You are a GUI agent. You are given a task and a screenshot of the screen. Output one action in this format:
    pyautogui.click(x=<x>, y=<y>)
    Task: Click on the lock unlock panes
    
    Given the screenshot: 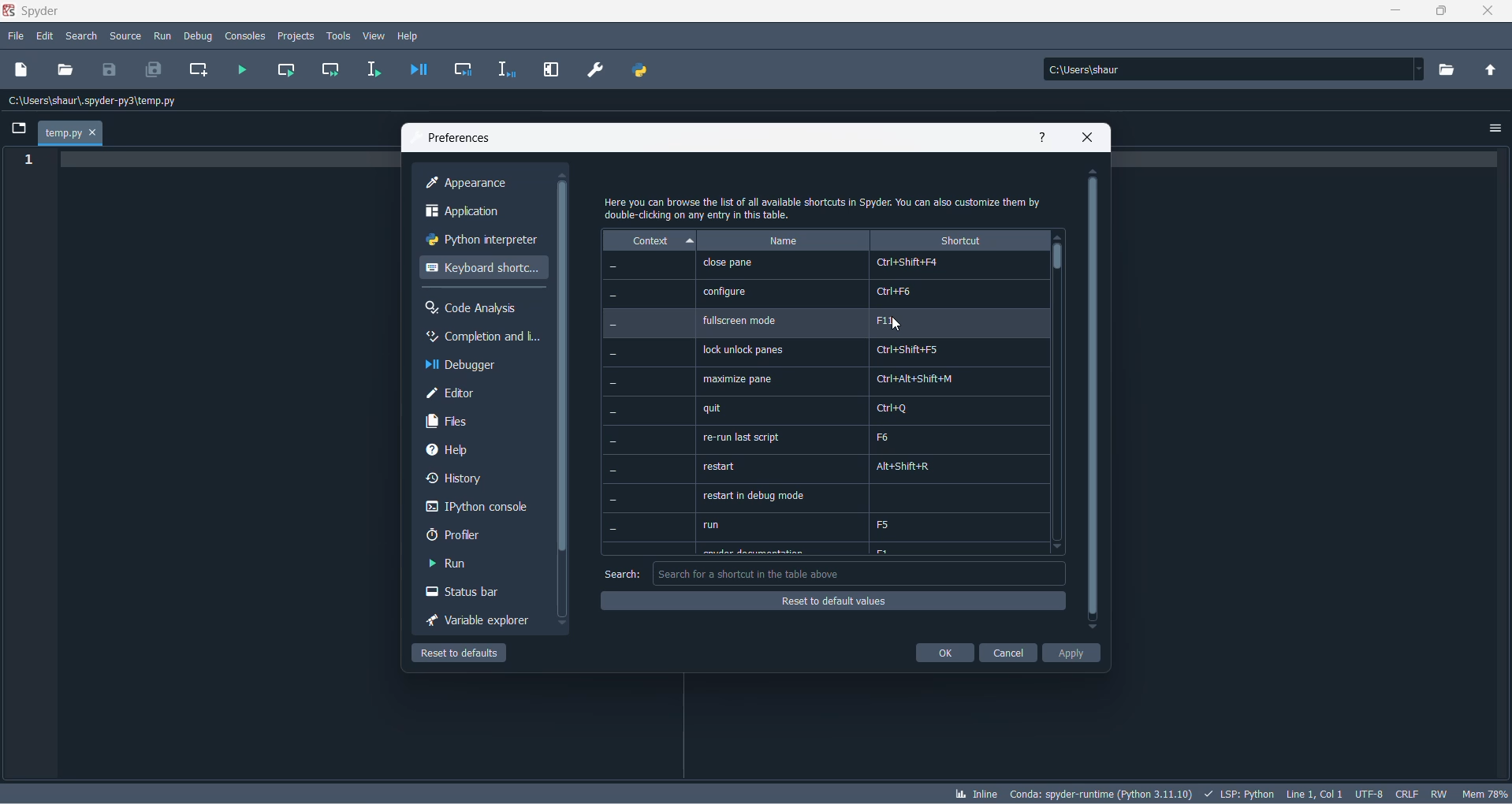 What is the action you would take?
    pyautogui.click(x=747, y=349)
    